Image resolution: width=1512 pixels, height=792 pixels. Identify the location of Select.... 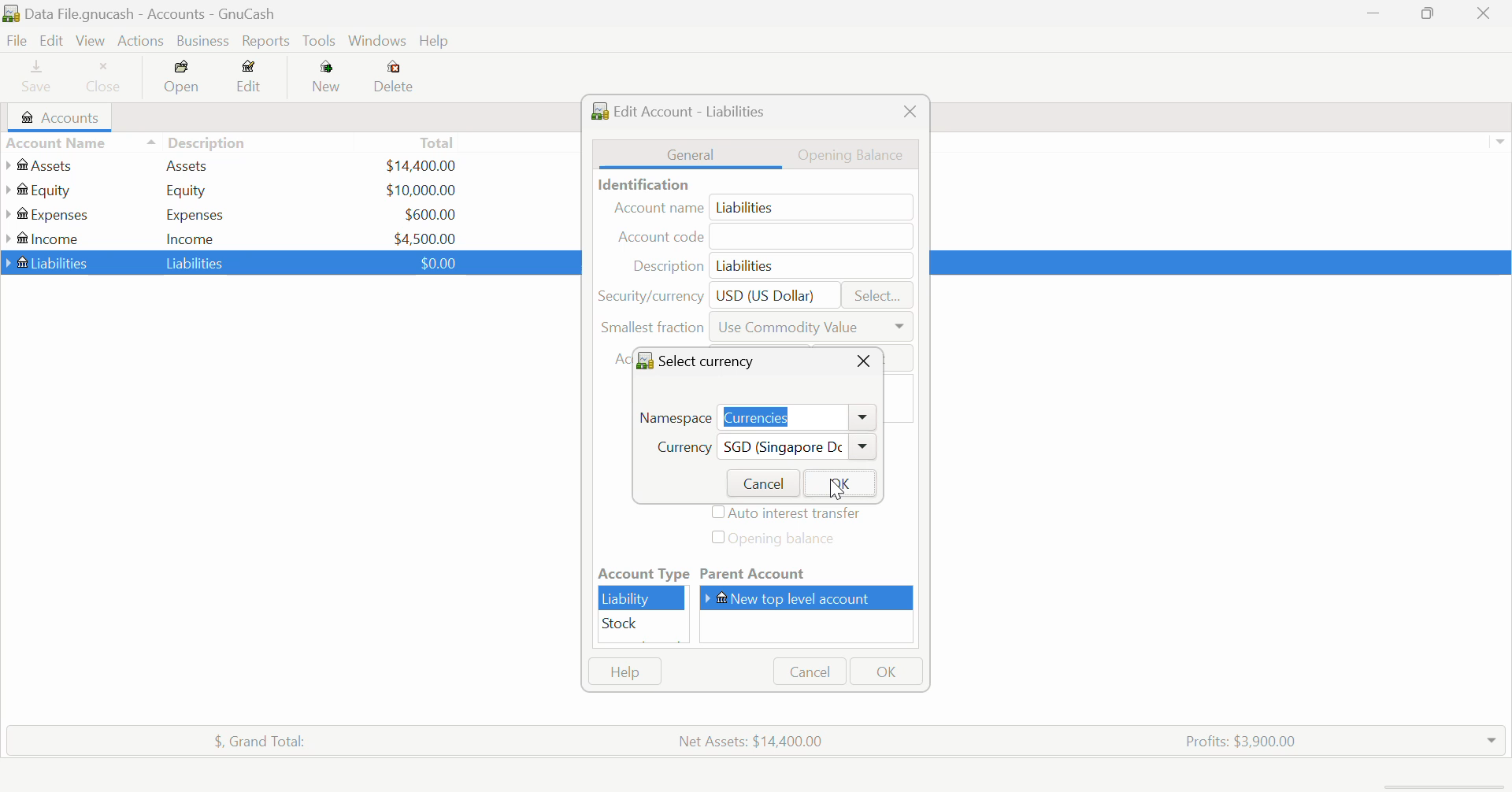
(877, 296).